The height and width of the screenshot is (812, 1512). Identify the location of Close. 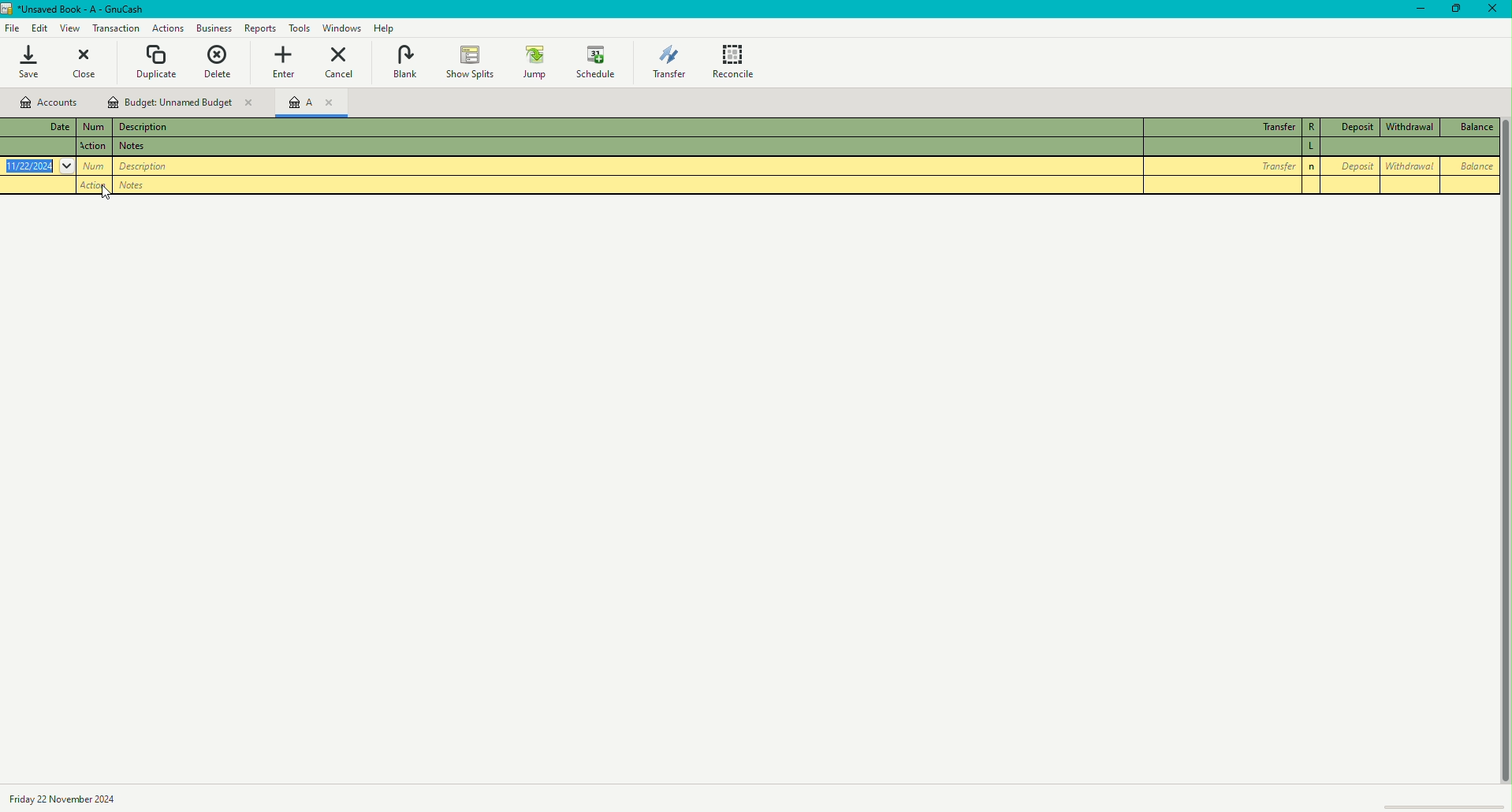
(1493, 13).